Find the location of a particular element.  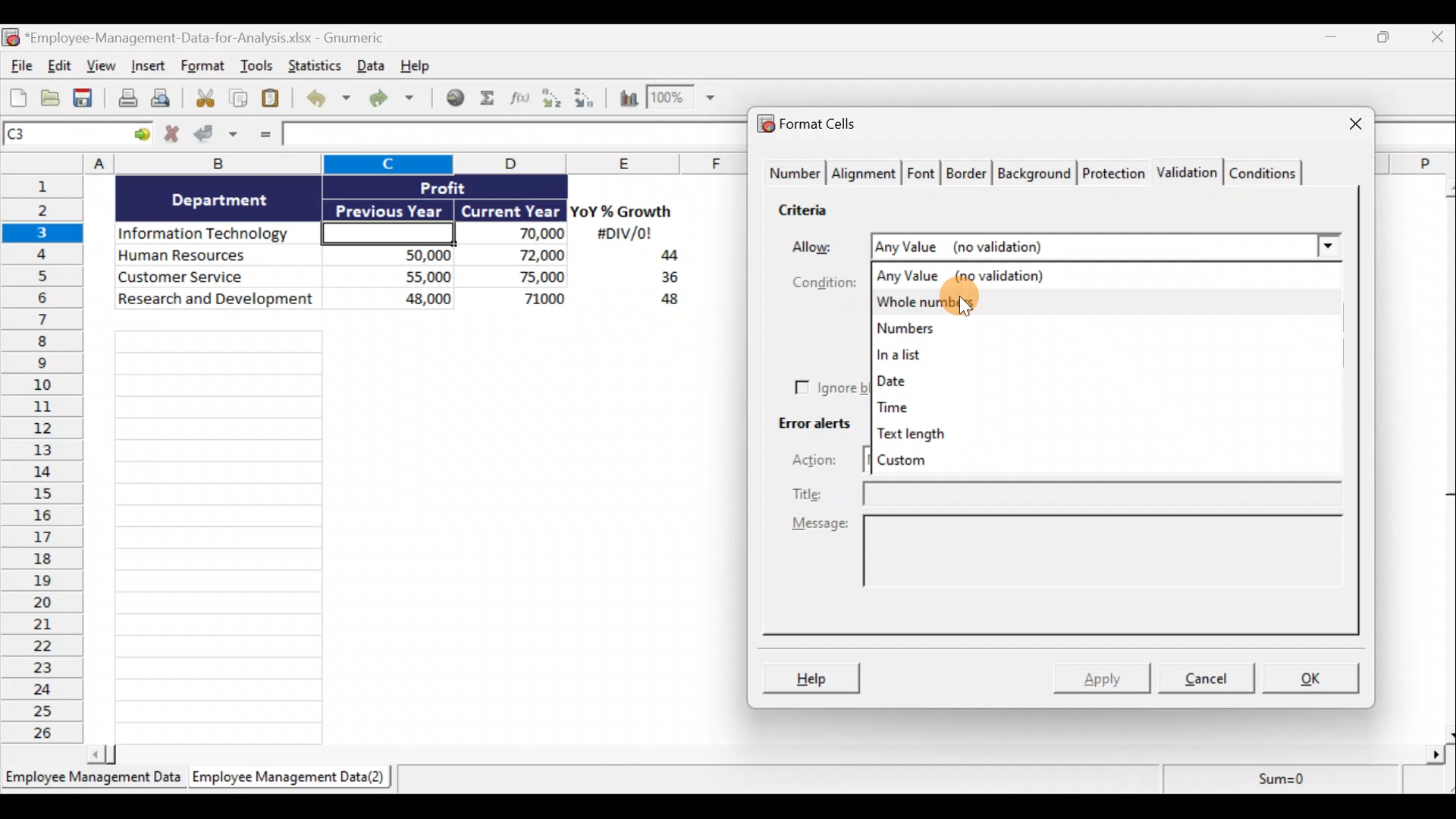

Allow drop down is located at coordinates (1325, 242).